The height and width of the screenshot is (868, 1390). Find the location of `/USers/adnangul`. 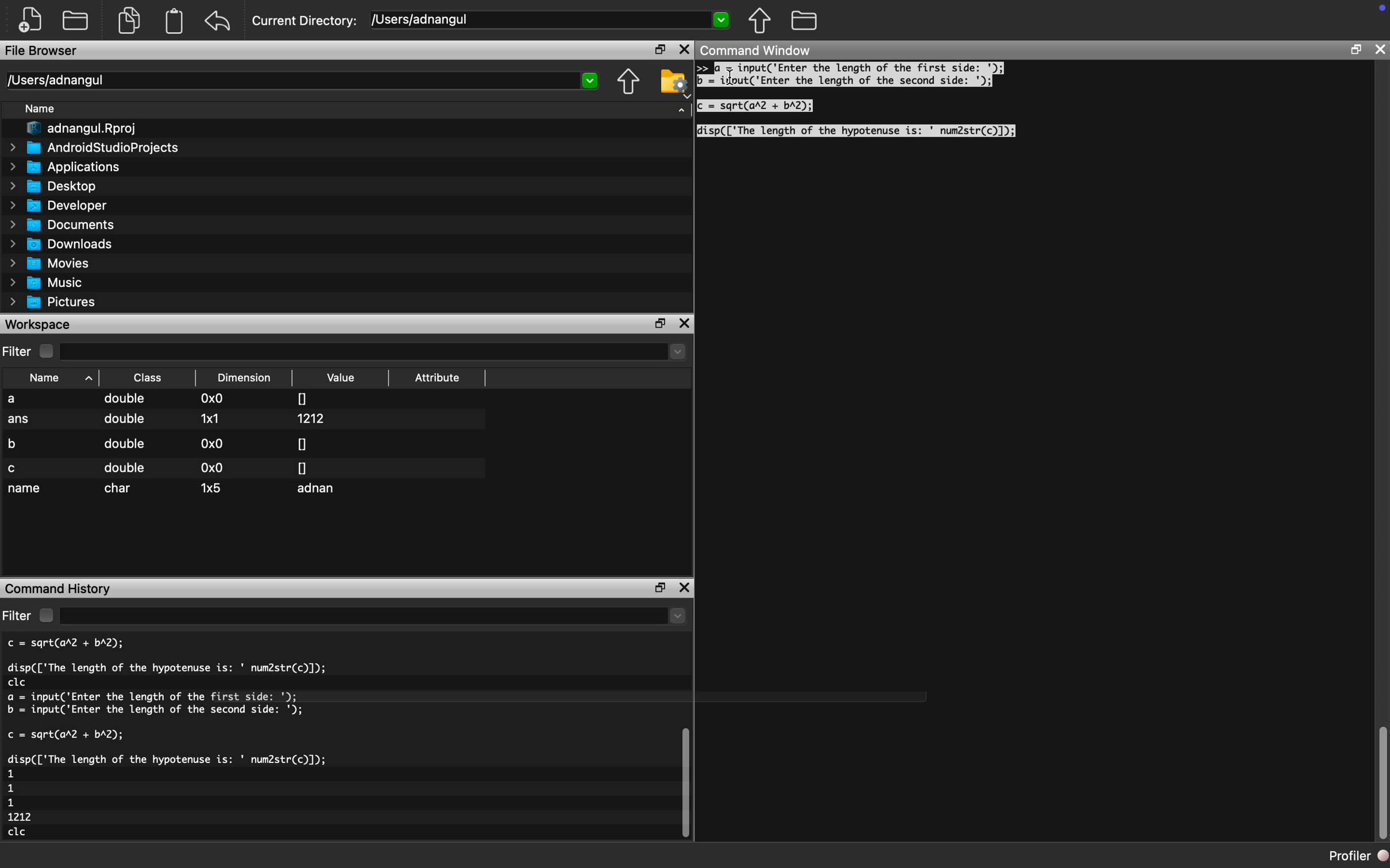

/USers/adnangul is located at coordinates (551, 20).